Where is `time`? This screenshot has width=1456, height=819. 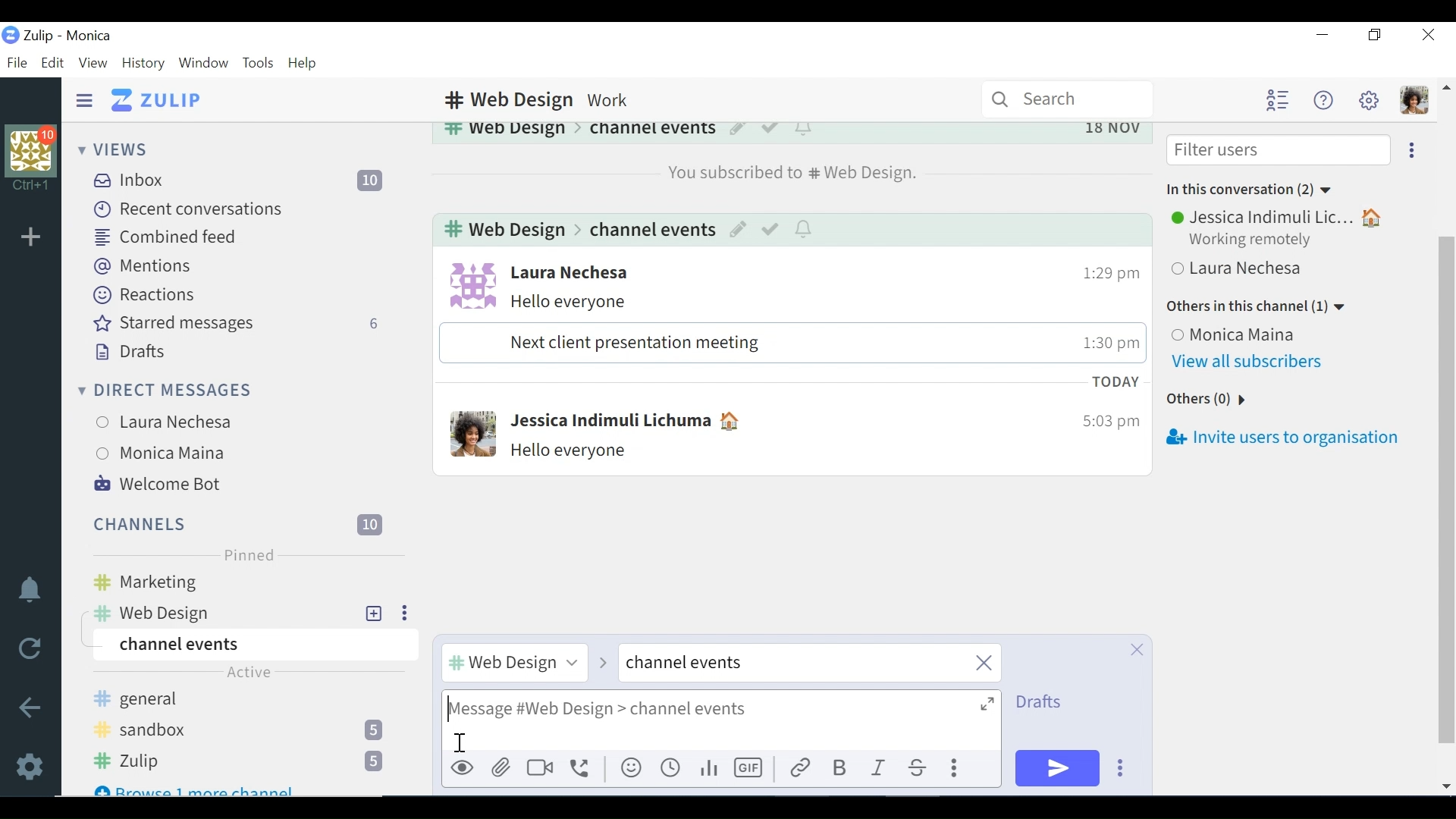
time is located at coordinates (1109, 342).